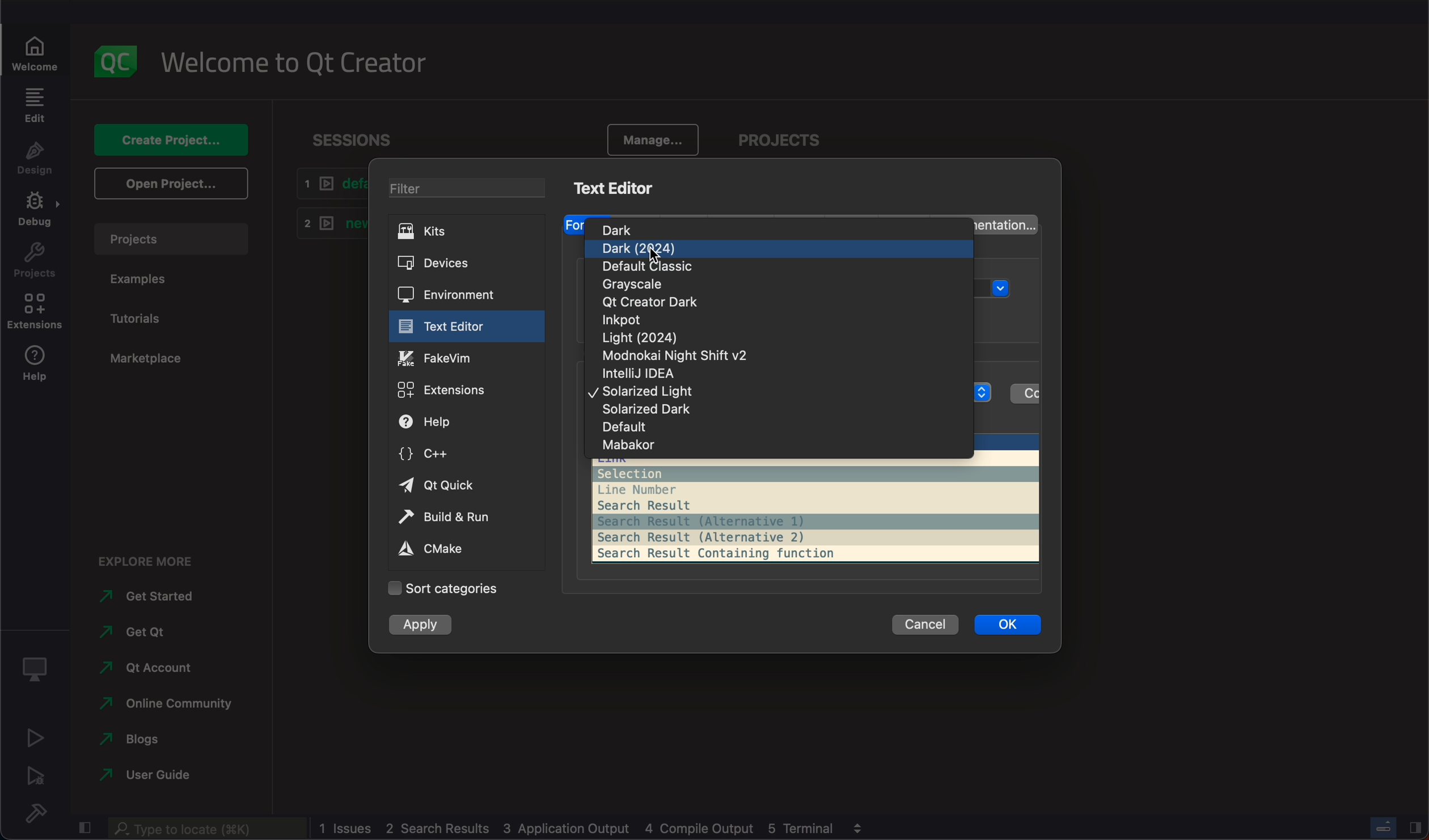  I want to click on dark 2024, so click(774, 248).